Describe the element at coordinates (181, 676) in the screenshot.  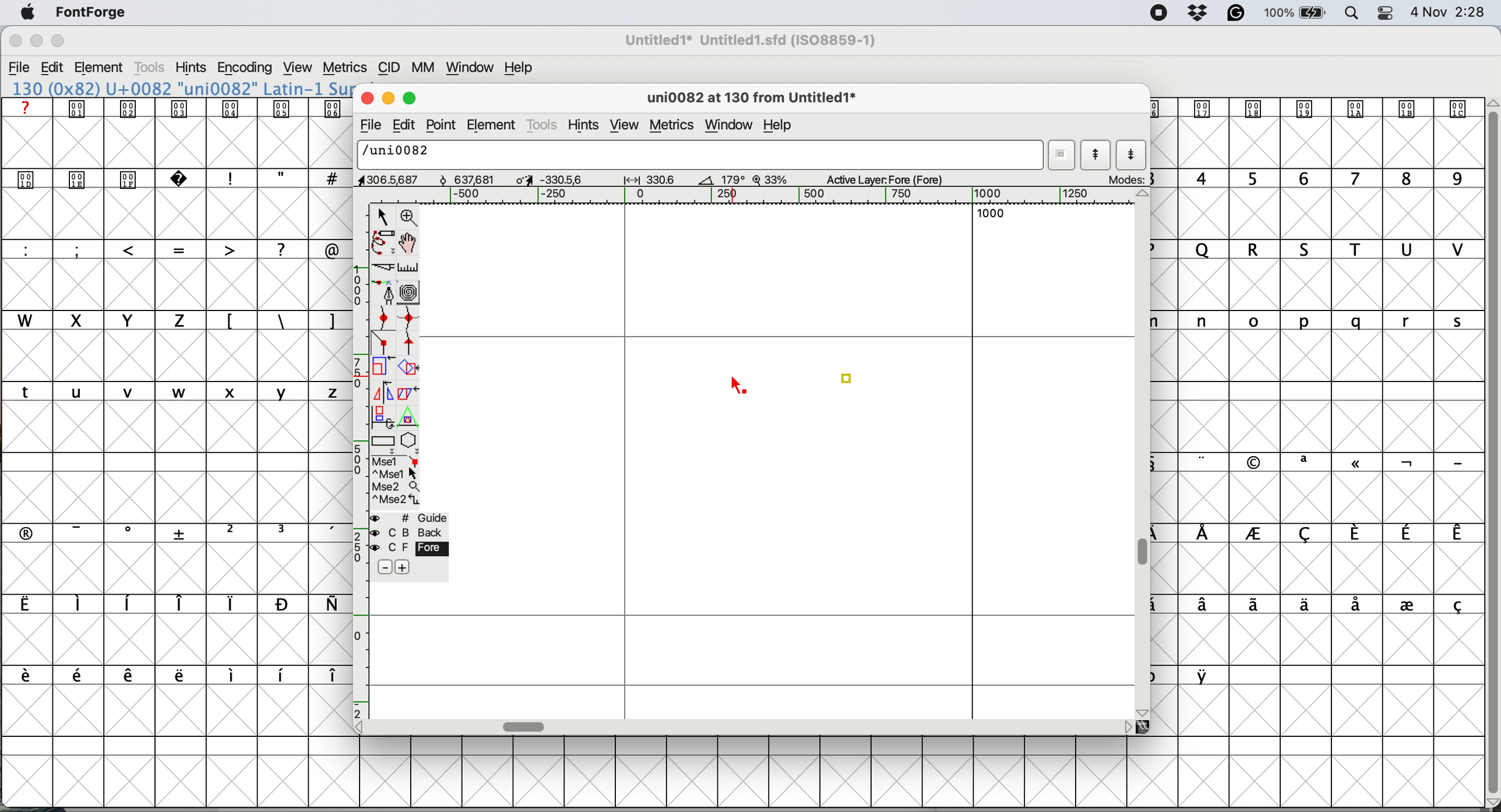
I see `symbols` at that location.